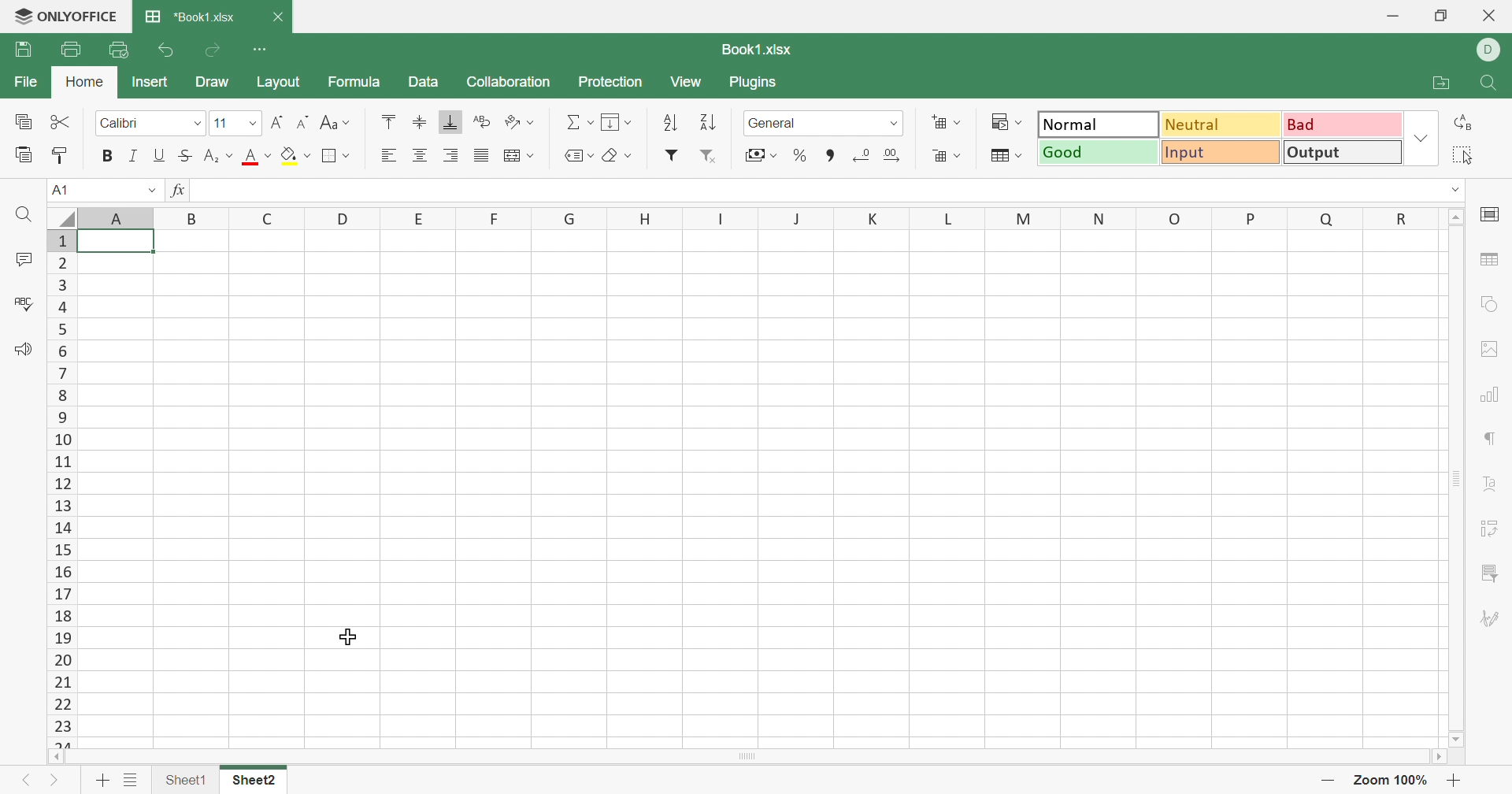 This screenshot has width=1512, height=794. What do you see at coordinates (421, 80) in the screenshot?
I see `Data` at bounding box center [421, 80].